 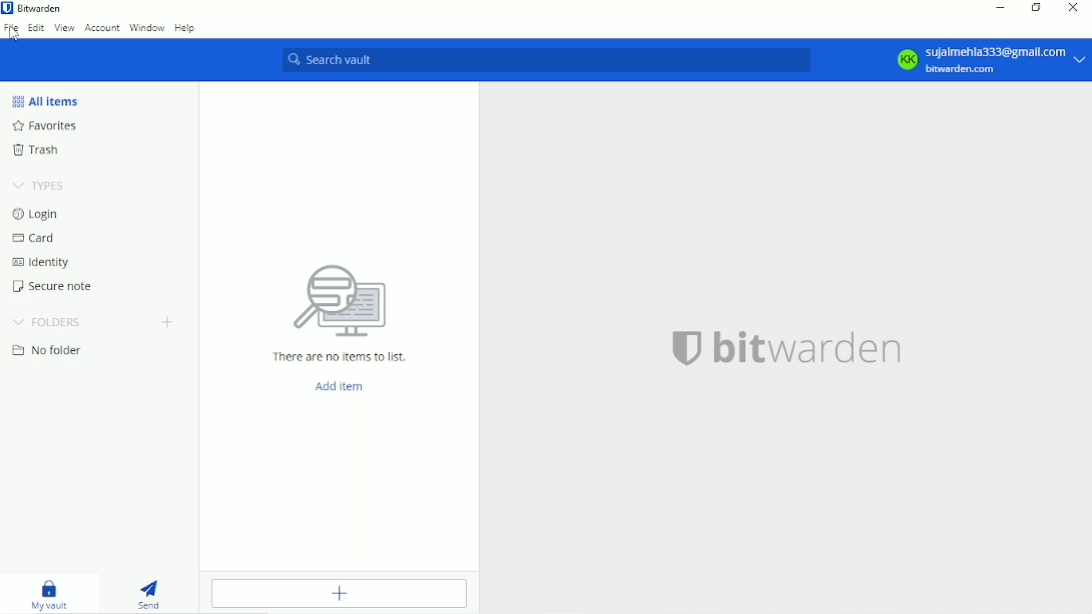 What do you see at coordinates (37, 149) in the screenshot?
I see `Trash` at bounding box center [37, 149].